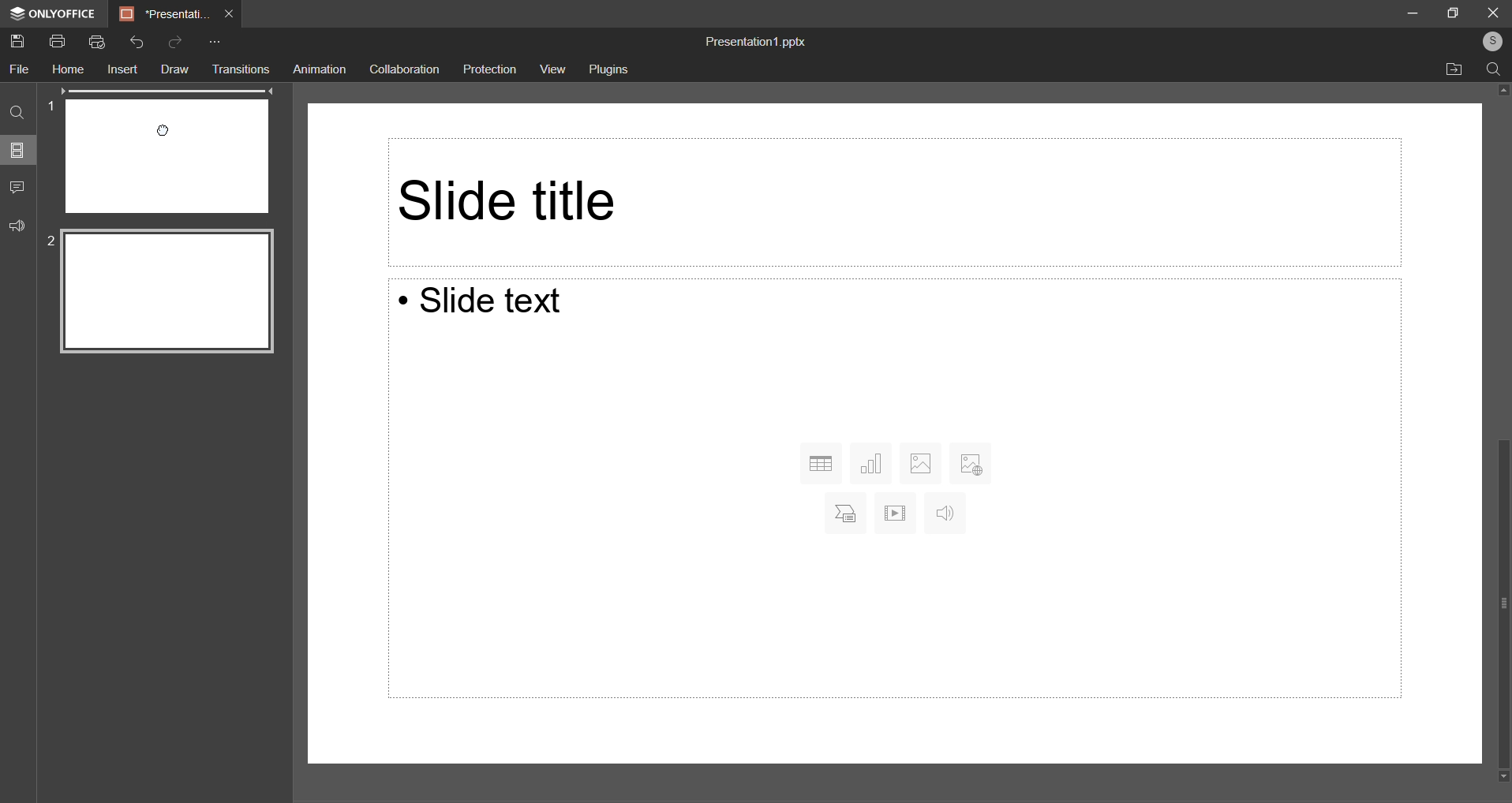 The height and width of the screenshot is (803, 1512). Describe the element at coordinates (52, 104) in the screenshot. I see `1` at that location.